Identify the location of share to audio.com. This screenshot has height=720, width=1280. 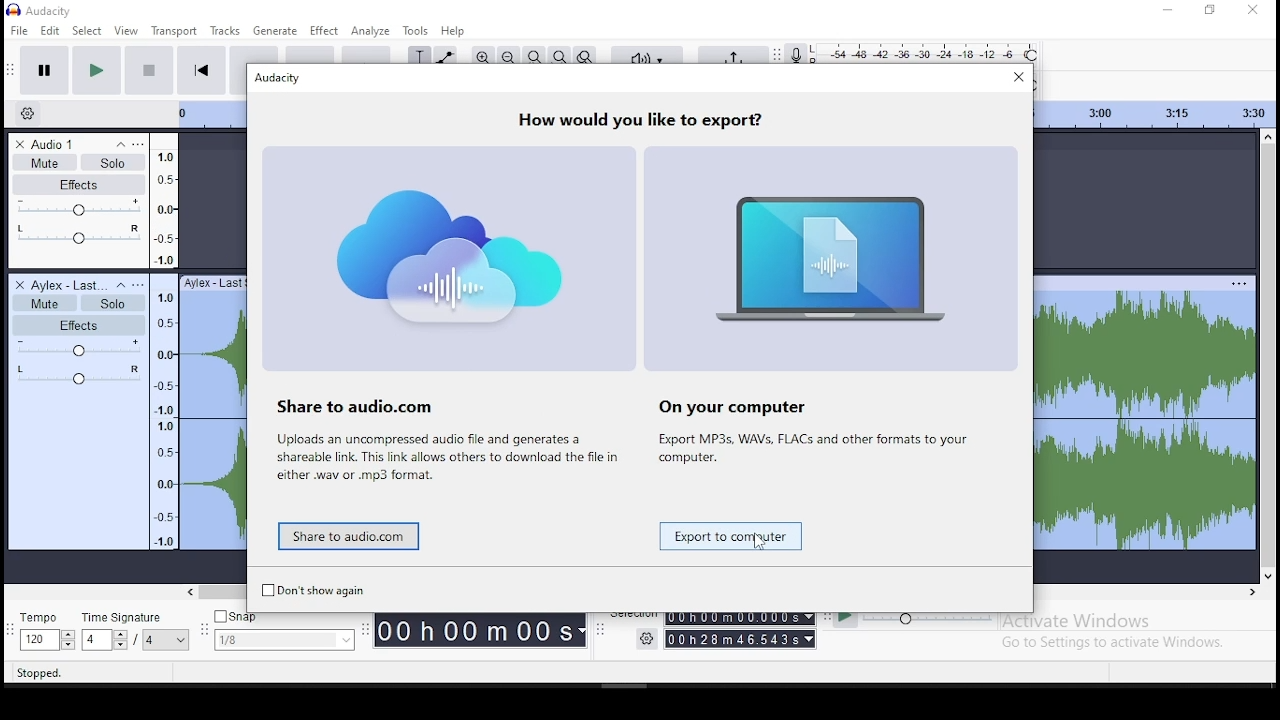
(349, 536).